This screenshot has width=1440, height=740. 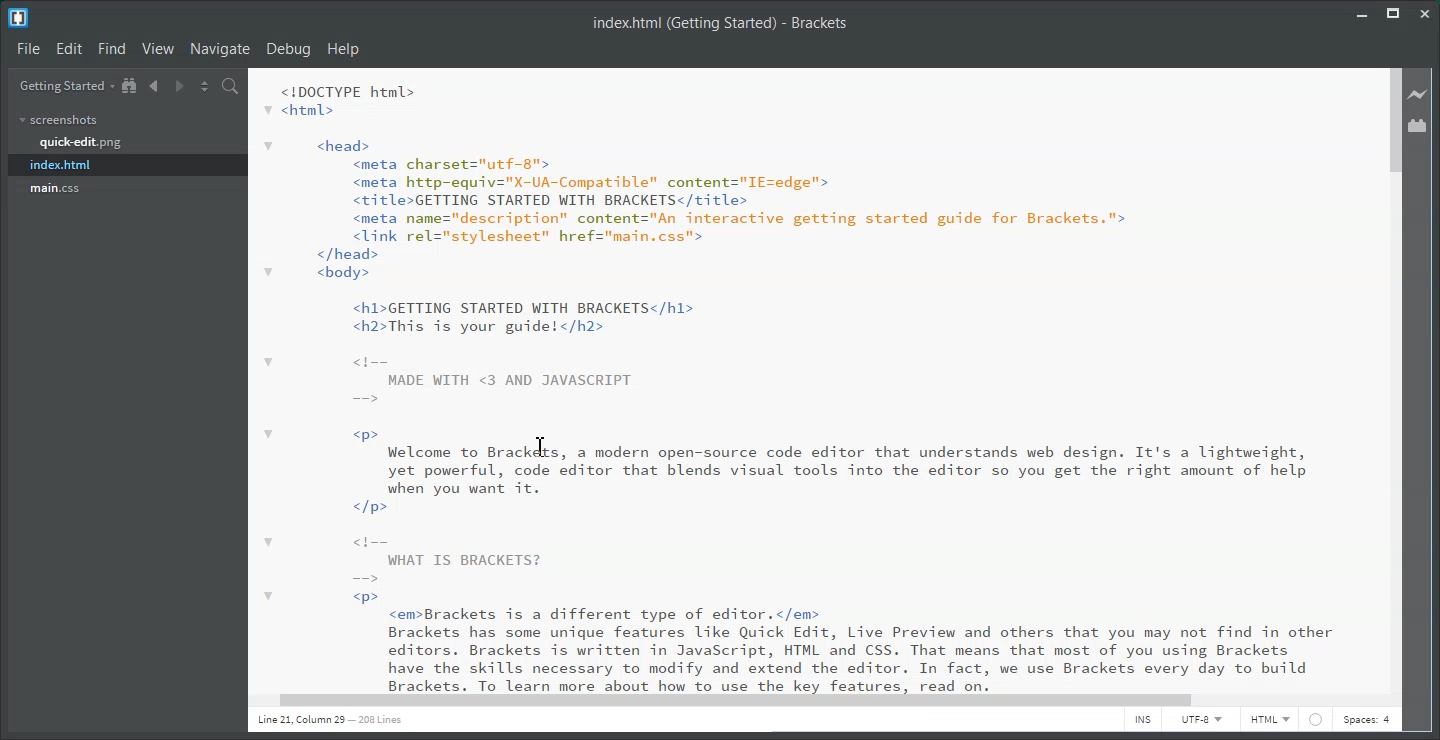 I want to click on Show in file tree, so click(x=131, y=86).